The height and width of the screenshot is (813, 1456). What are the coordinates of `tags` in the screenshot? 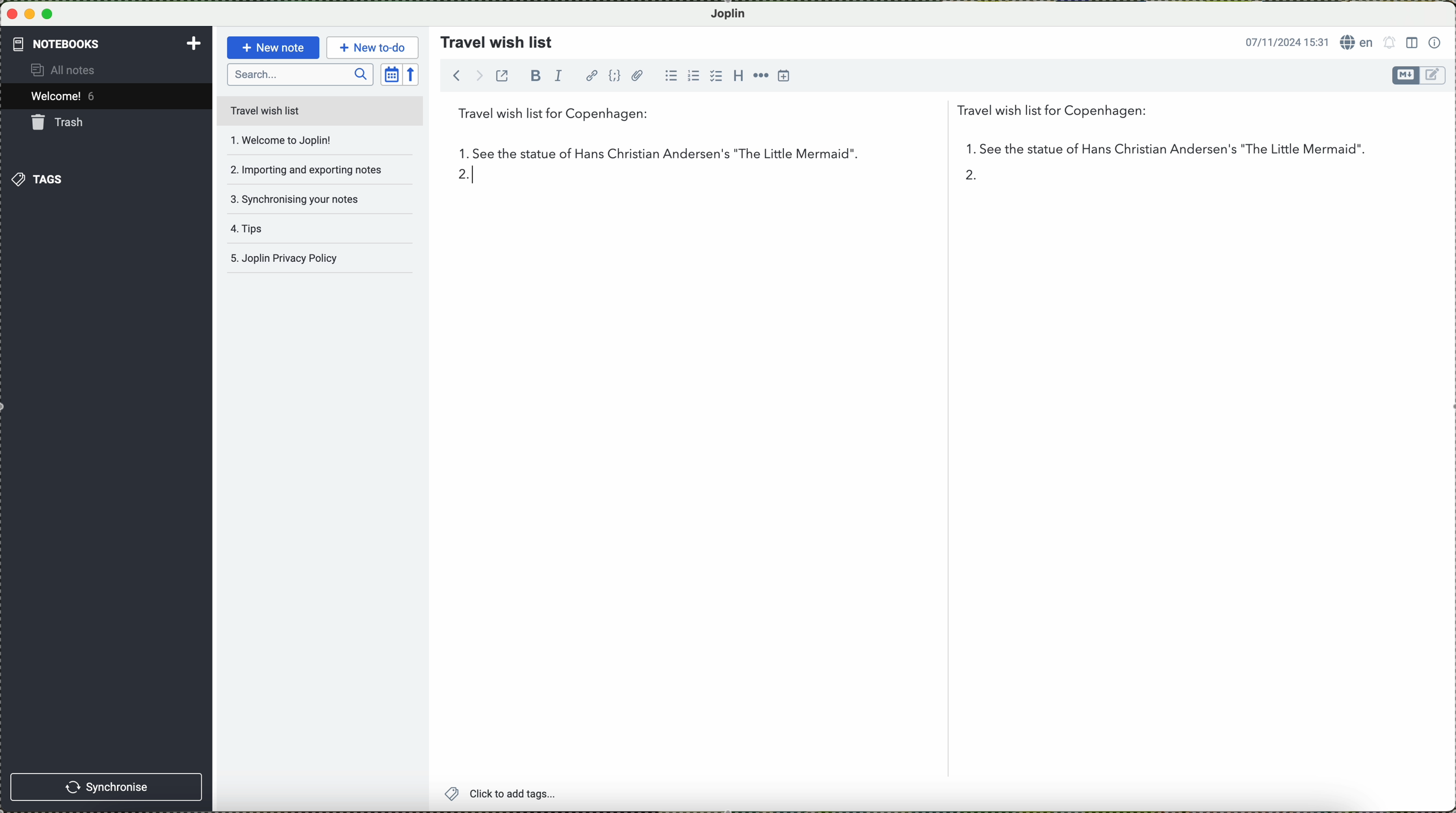 It's located at (39, 179).